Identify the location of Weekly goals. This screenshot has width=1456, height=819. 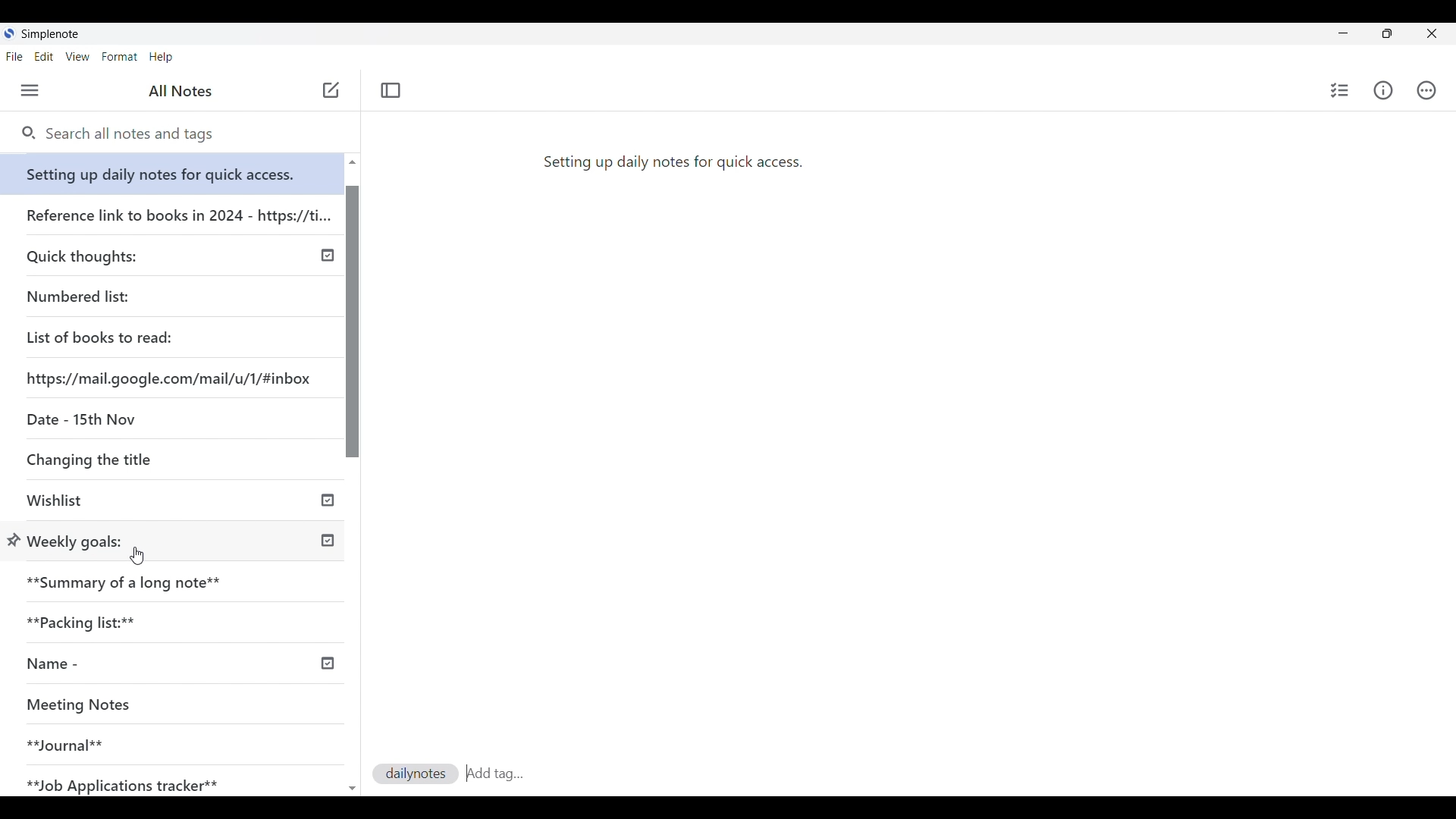
(77, 540).